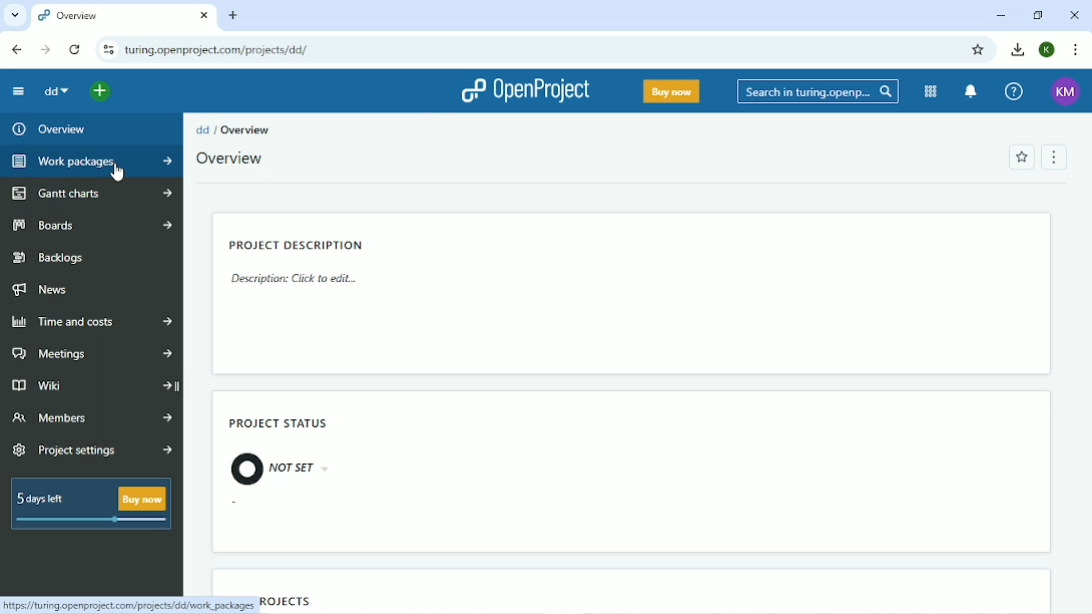 The height and width of the screenshot is (614, 1092). What do you see at coordinates (74, 50) in the screenshot?
I see `Reload this page` at bounding box center [74, 50].